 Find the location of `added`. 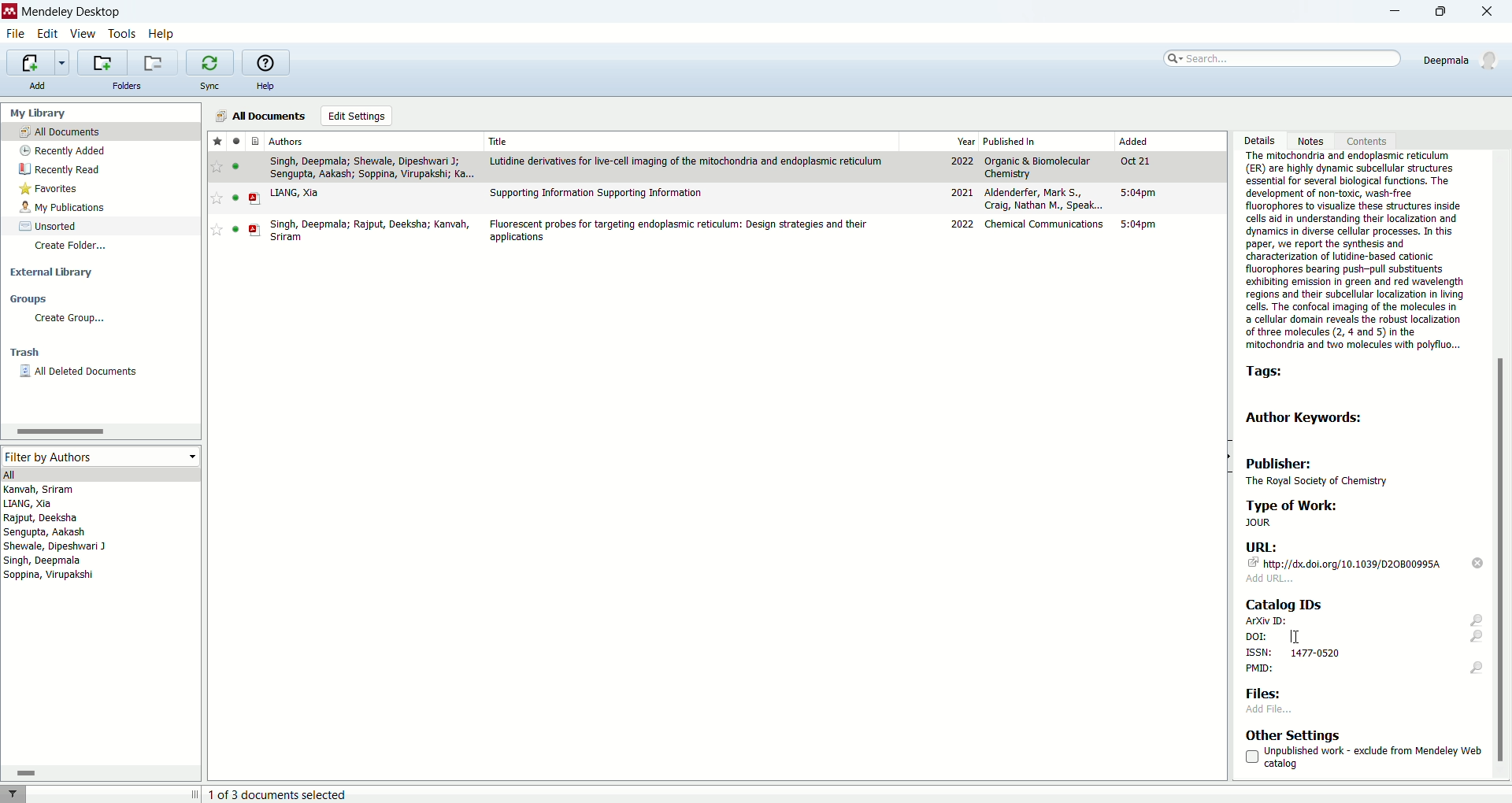

added is located at coordinates (1134, 140).